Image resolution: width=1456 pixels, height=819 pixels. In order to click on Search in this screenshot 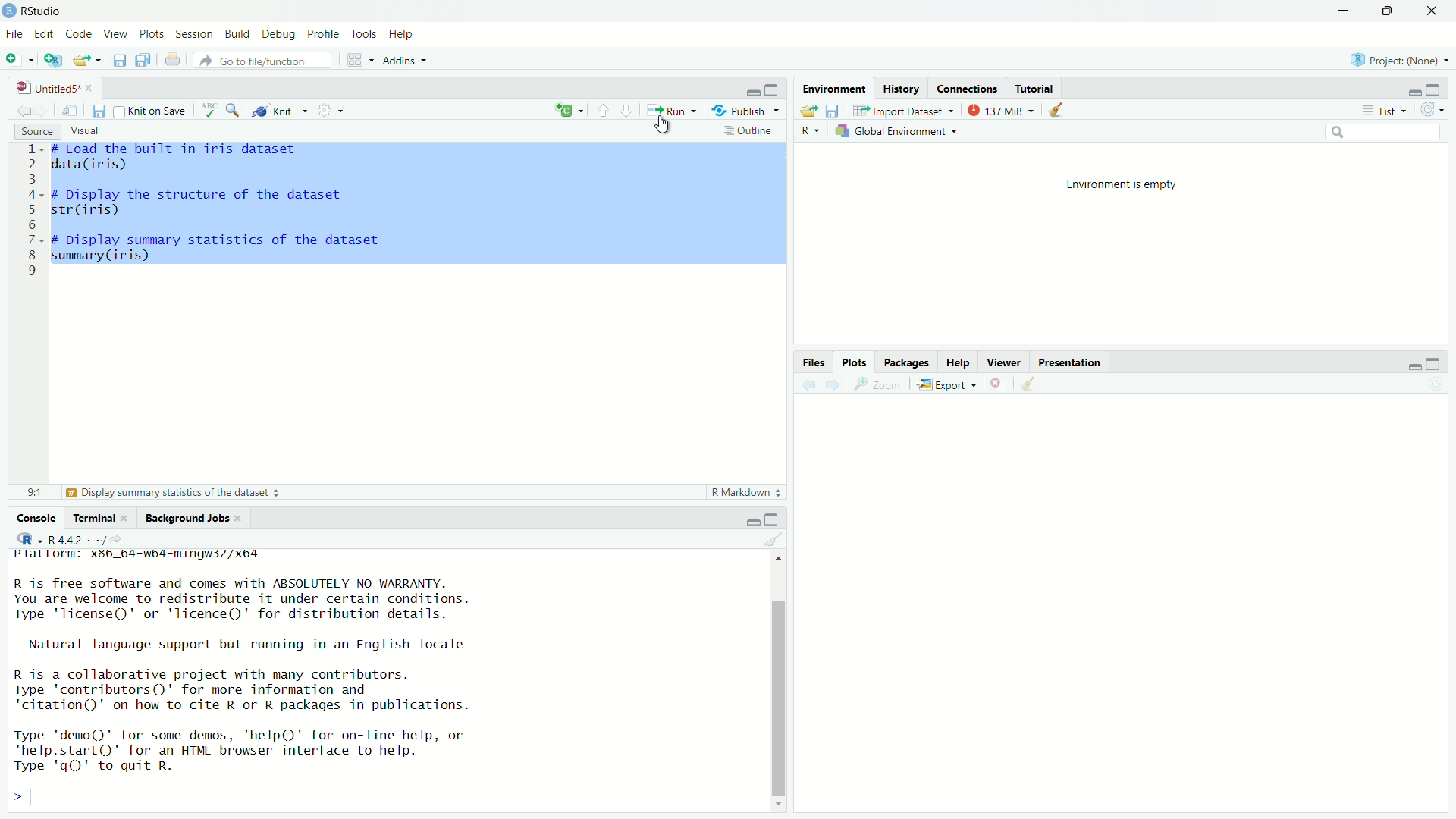, I will do `click(1384, 131)`.